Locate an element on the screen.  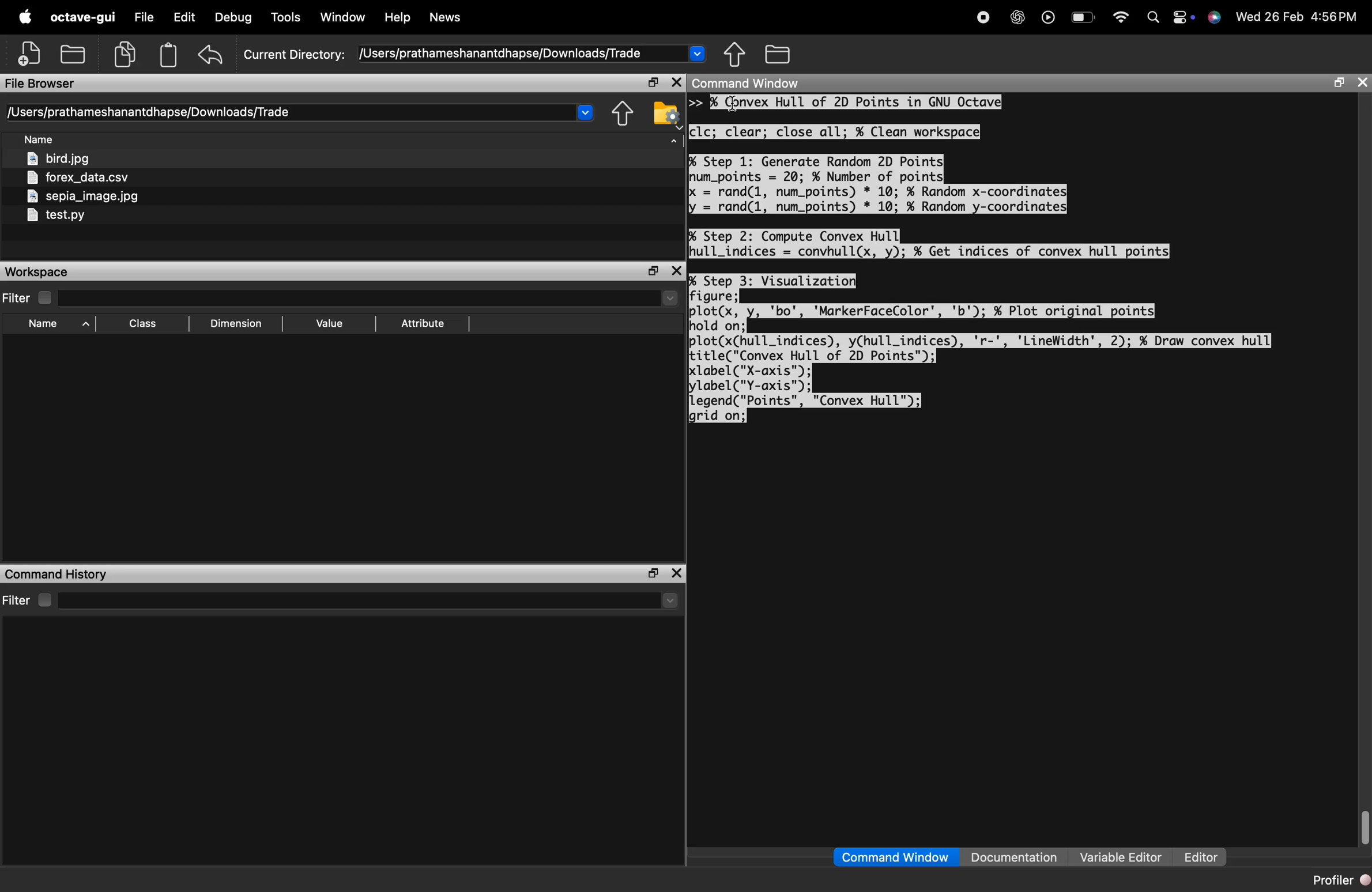
Variable Editor is located at coordinates (1120, 857).